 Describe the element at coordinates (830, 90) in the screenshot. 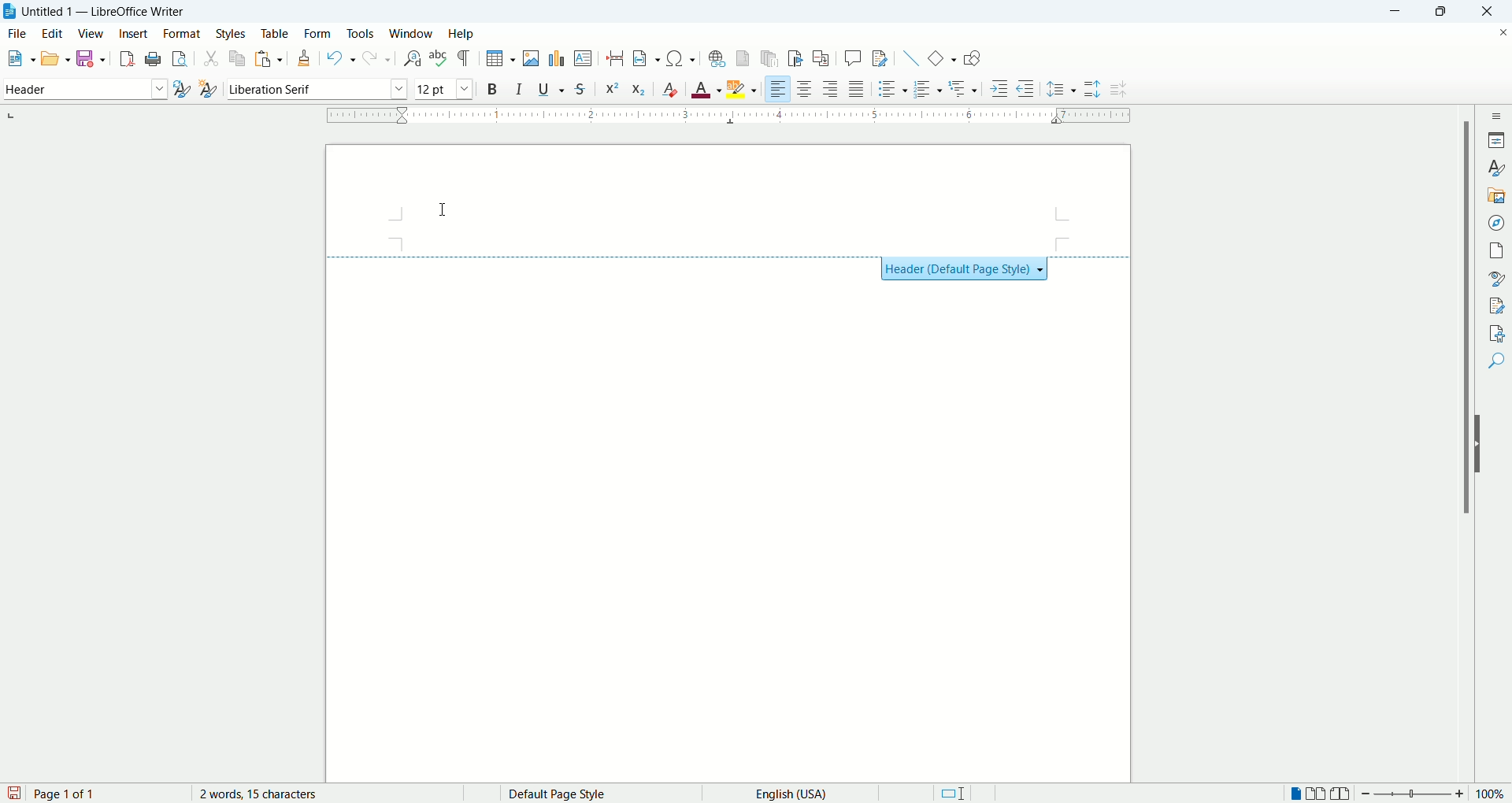

I see `align right` at that location.